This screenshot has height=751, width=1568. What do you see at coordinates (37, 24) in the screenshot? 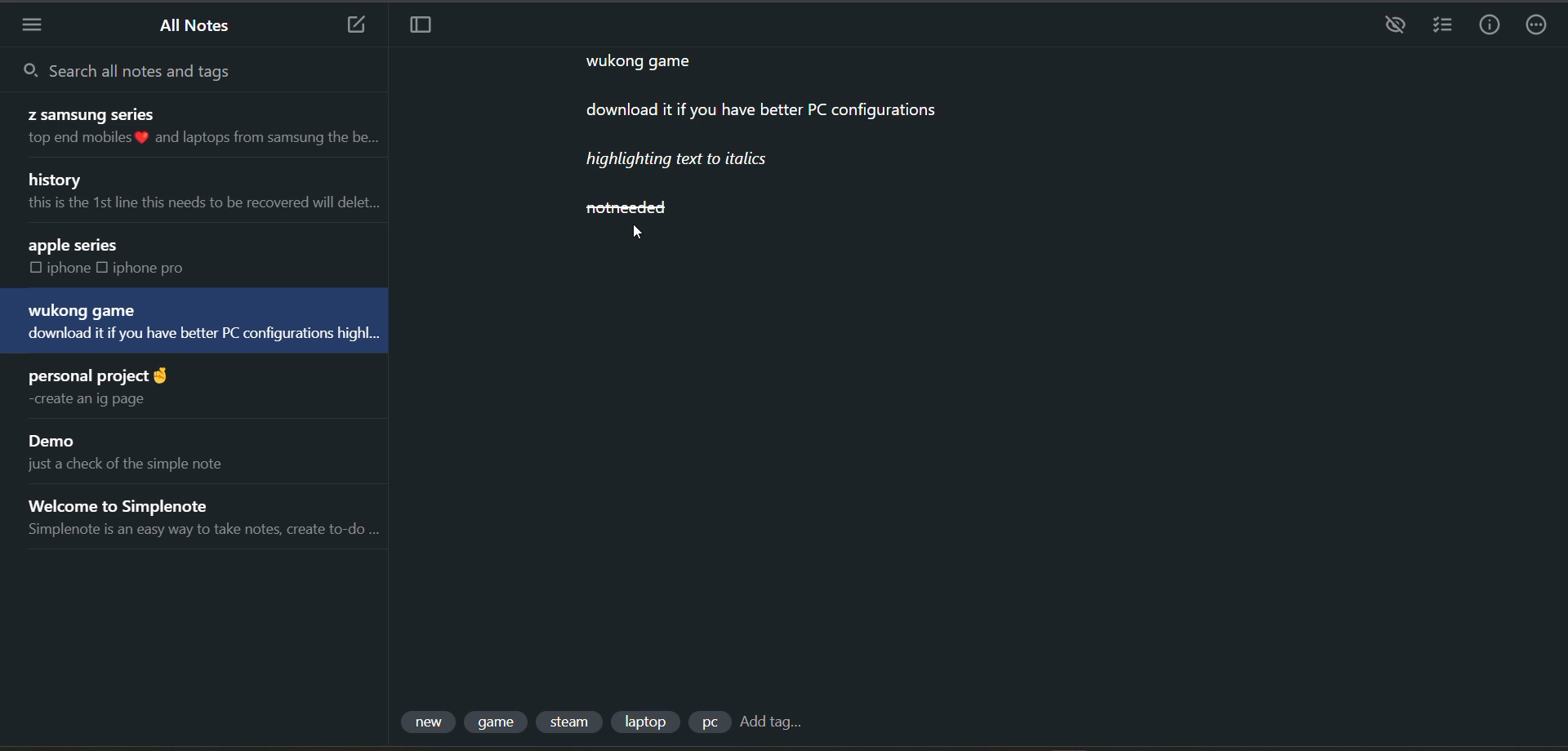
I see `menu` at bounding box center [37, 24].